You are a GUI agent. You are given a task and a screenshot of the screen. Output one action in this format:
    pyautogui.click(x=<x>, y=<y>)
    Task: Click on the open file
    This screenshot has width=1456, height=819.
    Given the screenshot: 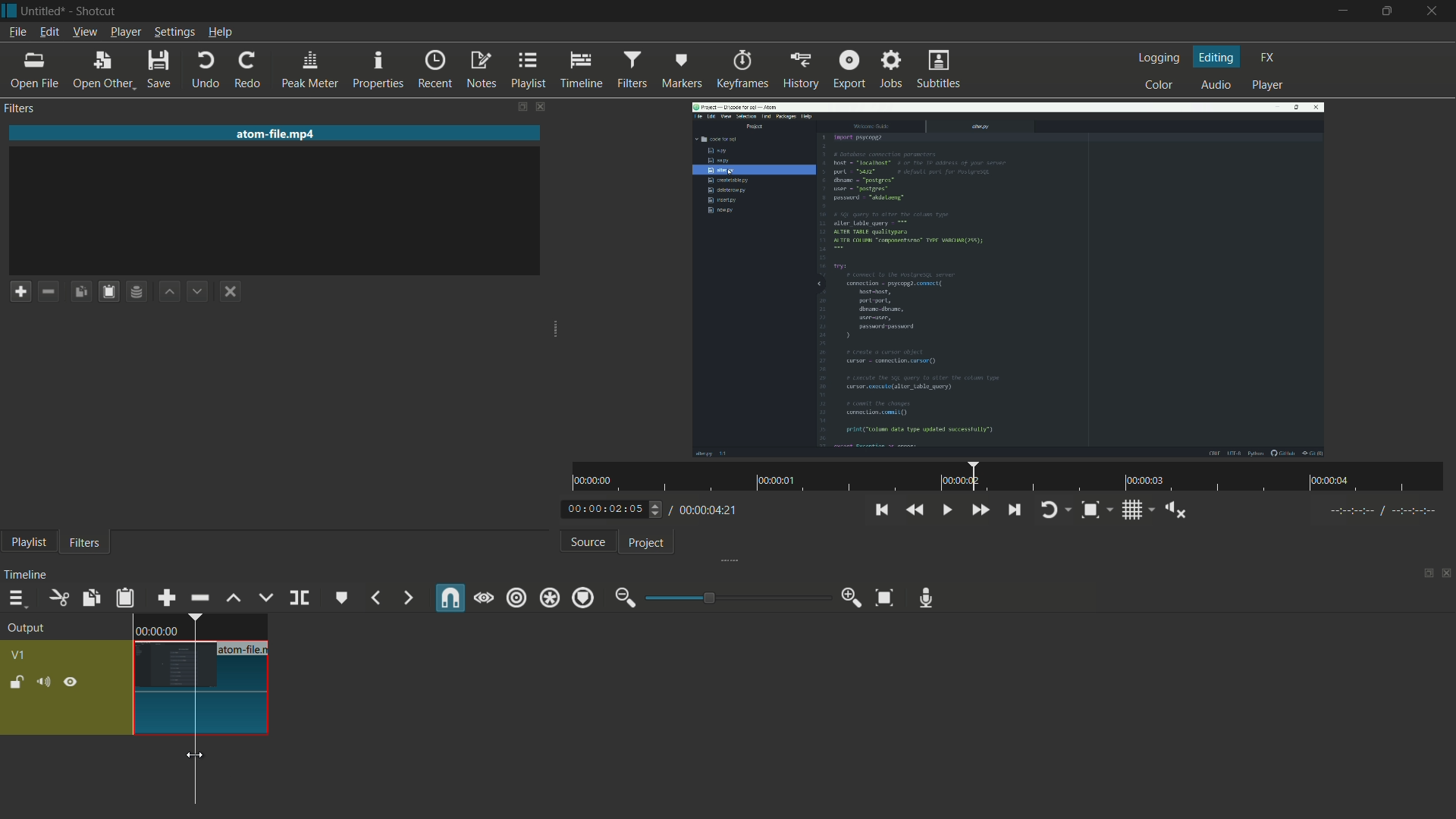 What is the action you would take?
    pyautogui.click(x=34, y=71)
    